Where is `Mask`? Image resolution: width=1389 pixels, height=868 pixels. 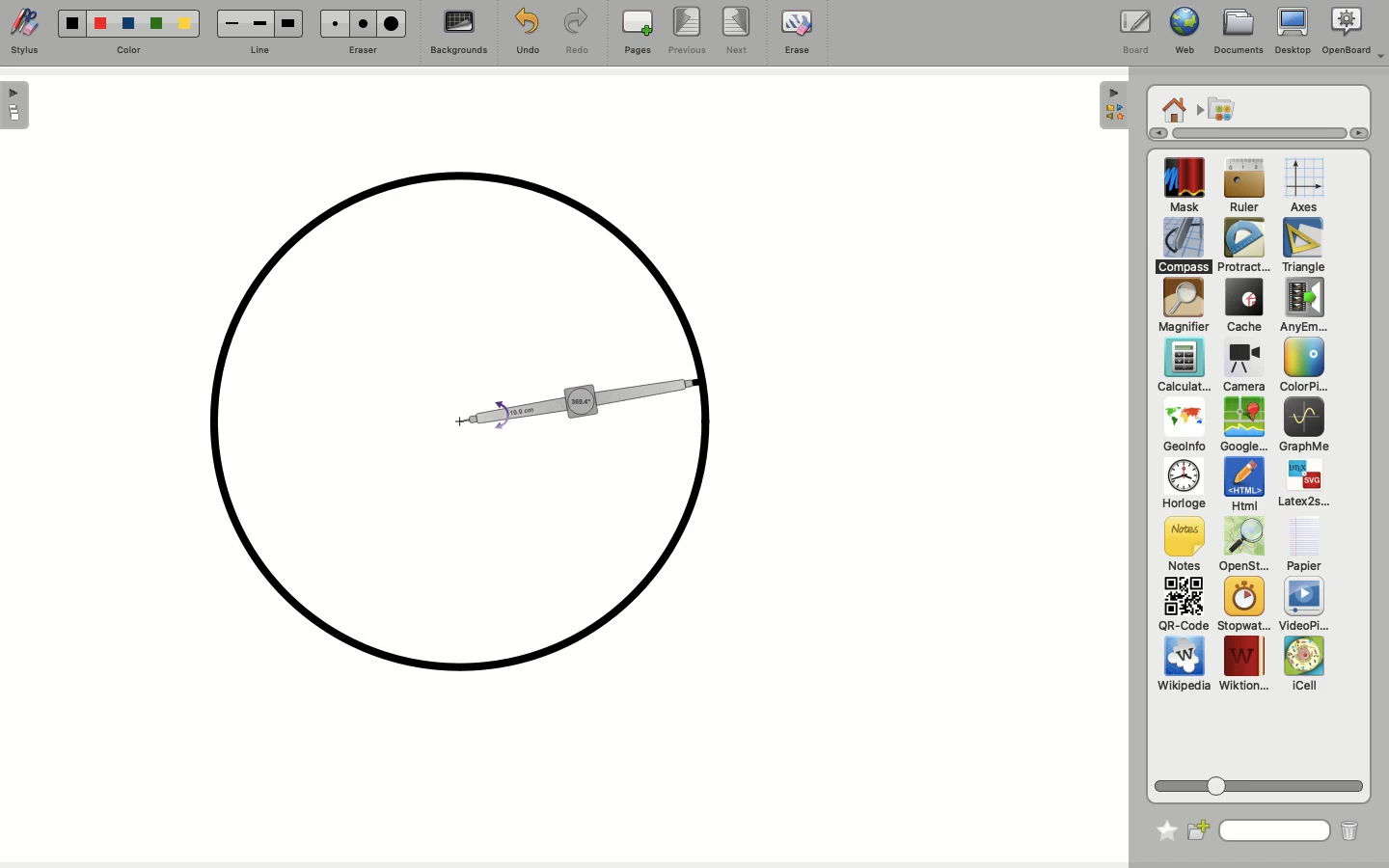 Mask is located at coordinates (1185, 187).